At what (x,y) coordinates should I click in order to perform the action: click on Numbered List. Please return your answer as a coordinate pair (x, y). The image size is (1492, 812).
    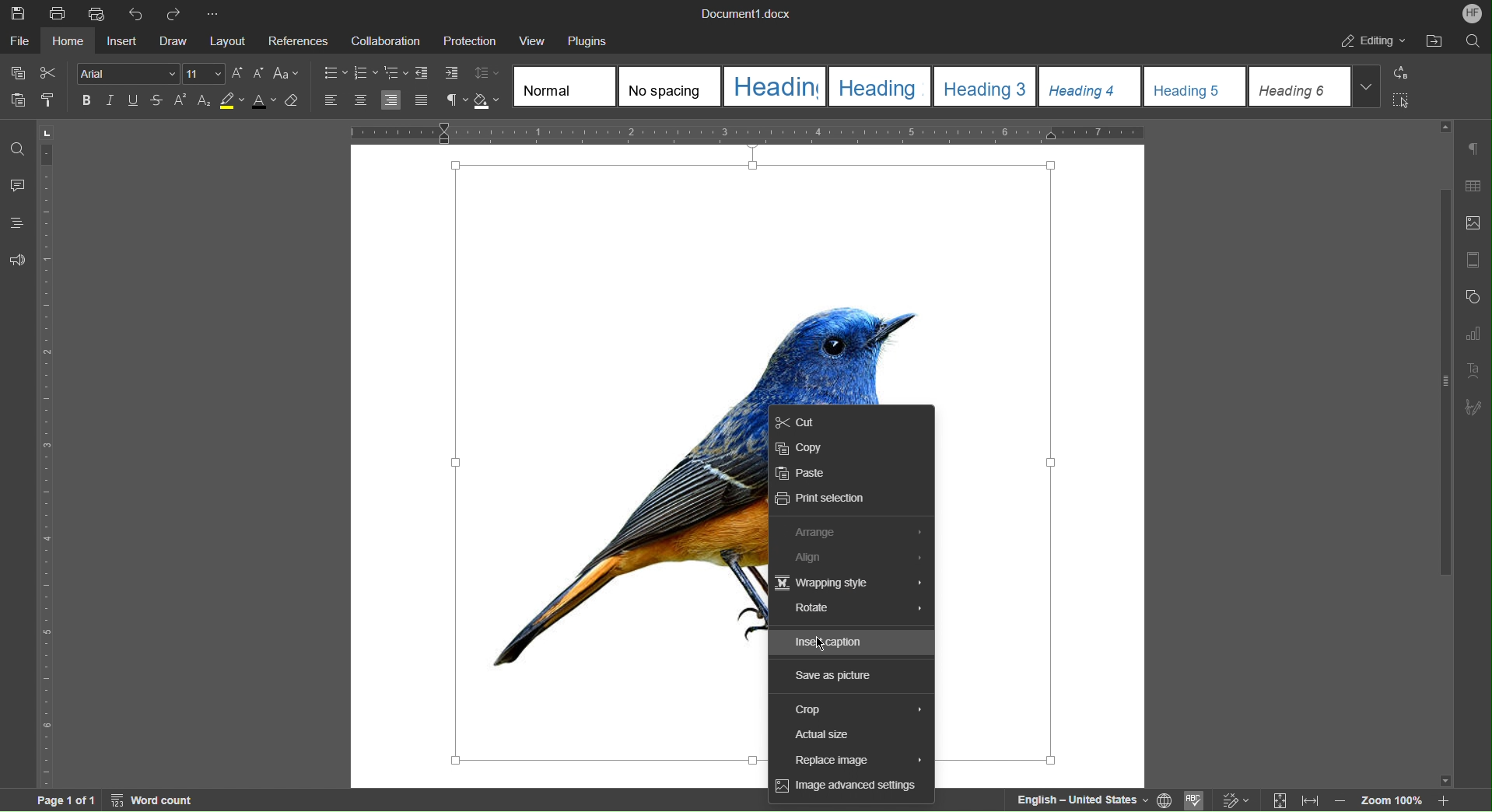
    Looking at the image, I should click on (366, 72).